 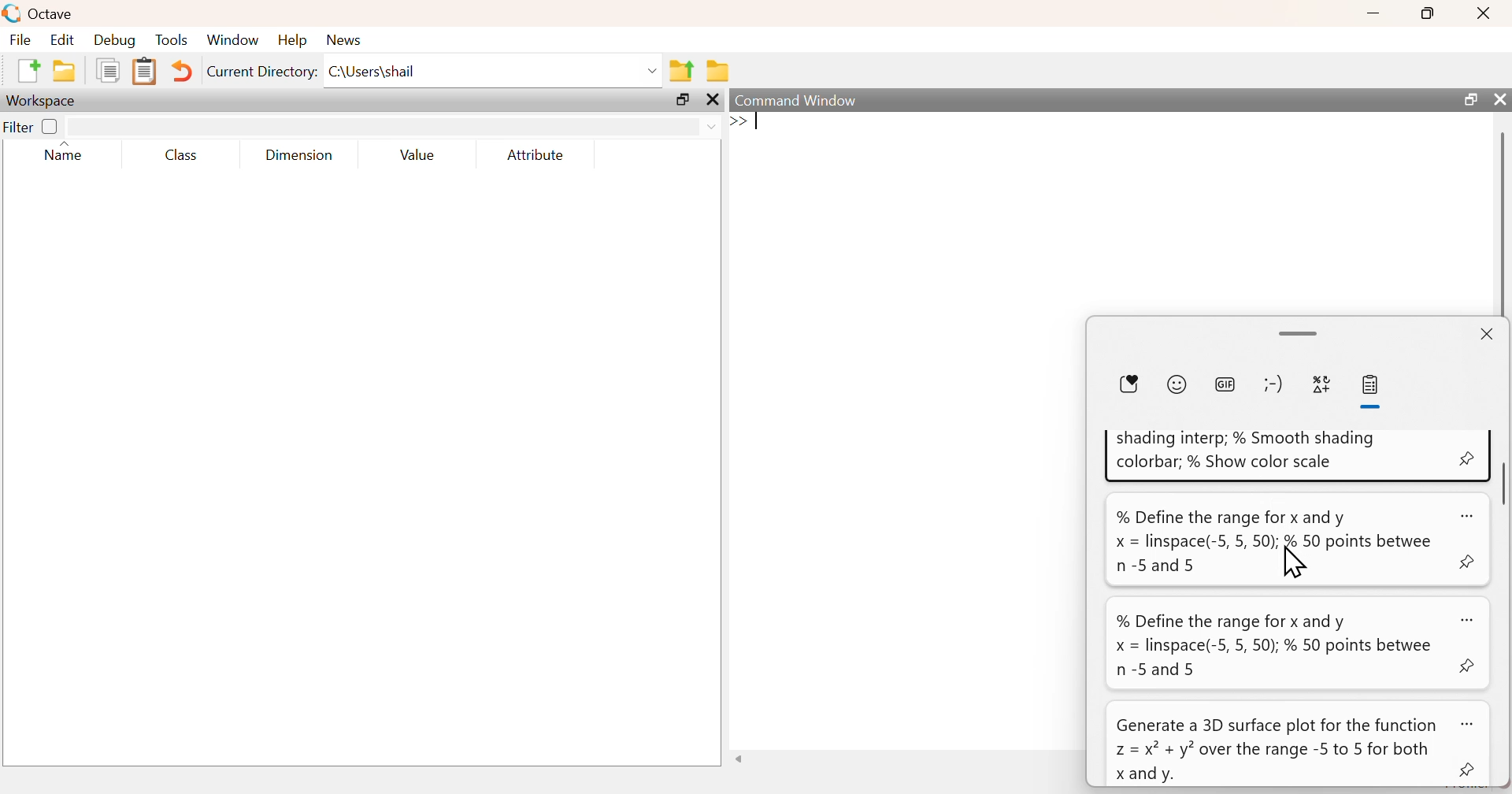 I want to click on Previous Folder, so click(x=681, y=72).